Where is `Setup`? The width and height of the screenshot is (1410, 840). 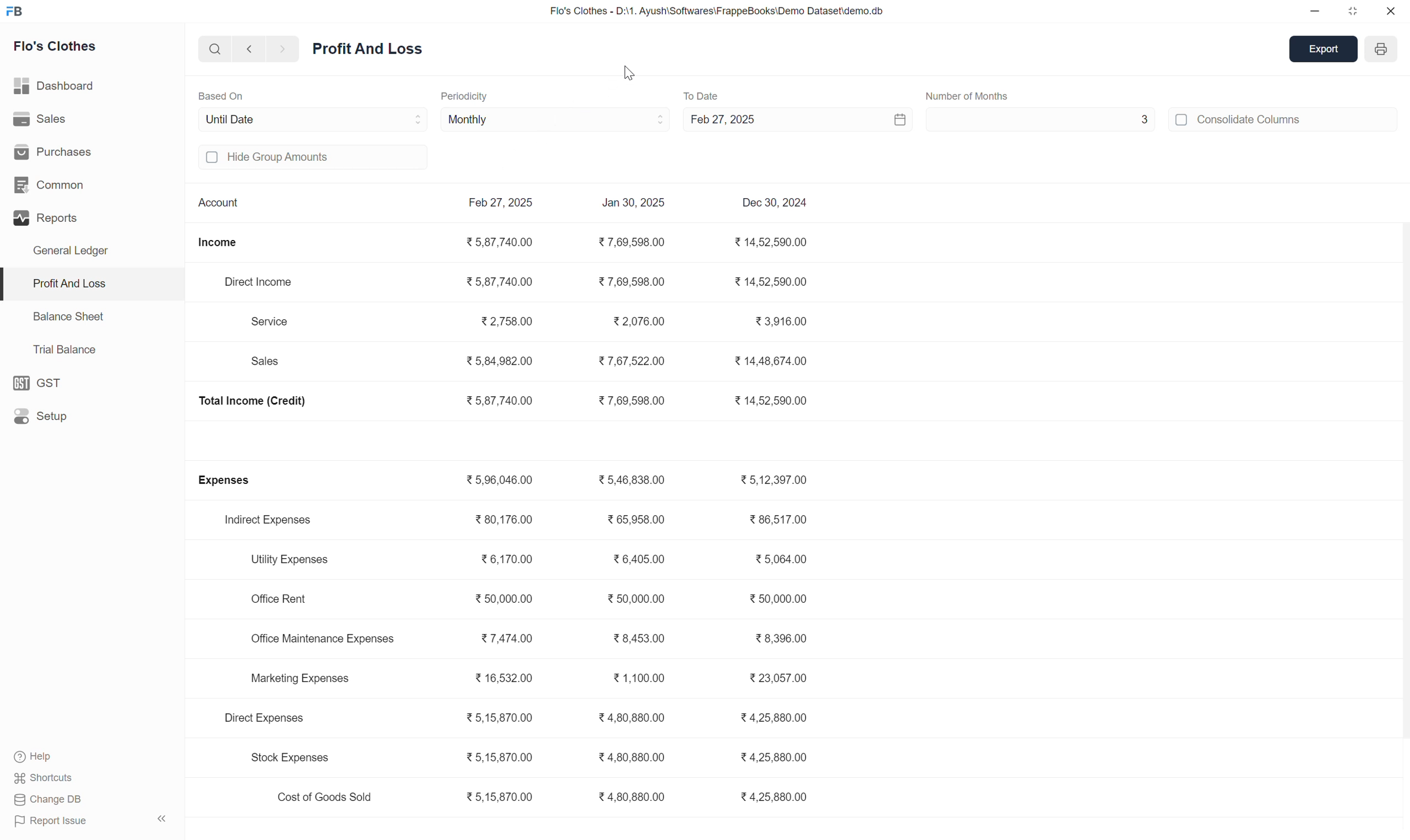 Setup is located at coordinates (41, 417).